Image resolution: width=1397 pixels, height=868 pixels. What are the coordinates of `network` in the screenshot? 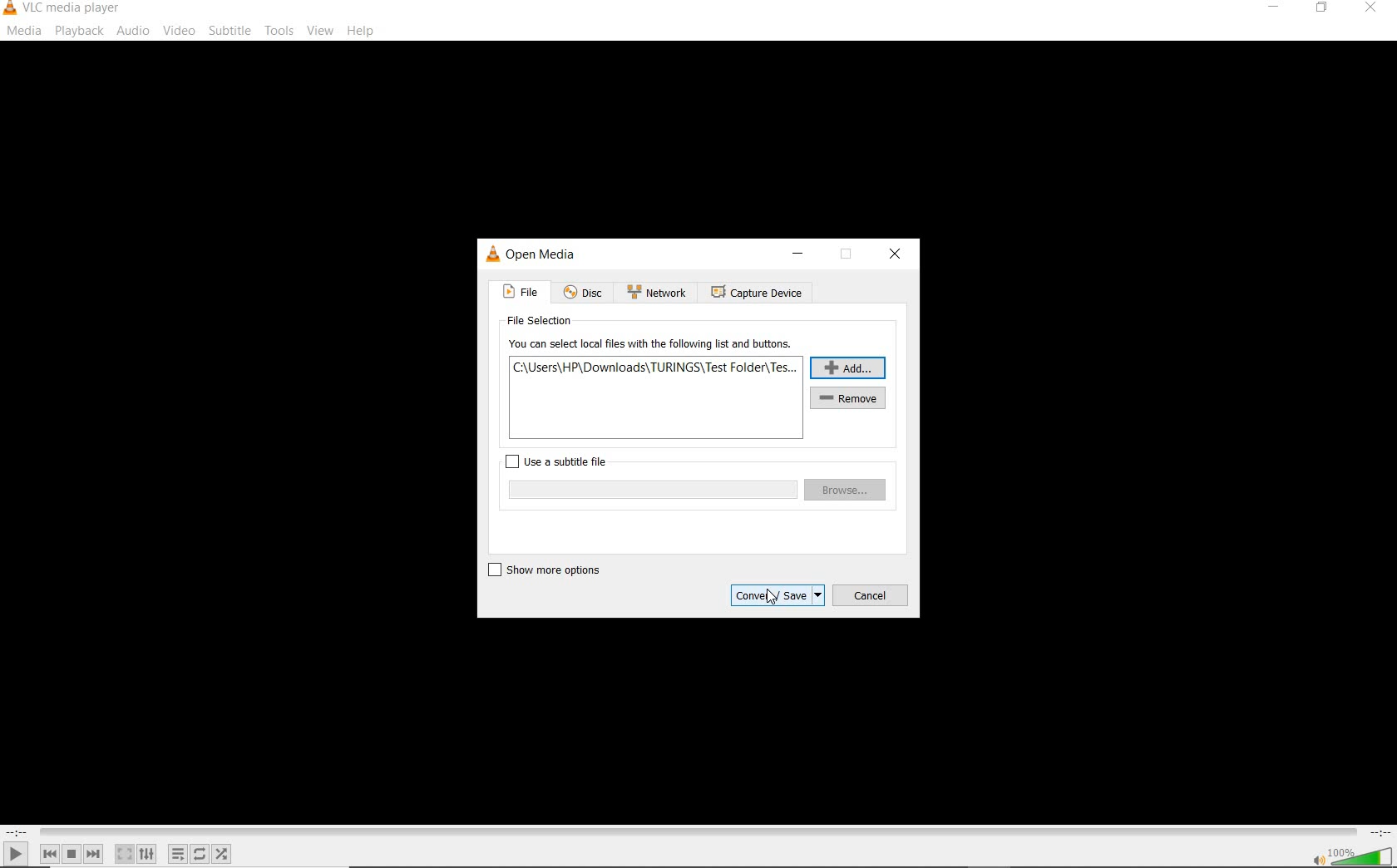 It's located at (657, 291).